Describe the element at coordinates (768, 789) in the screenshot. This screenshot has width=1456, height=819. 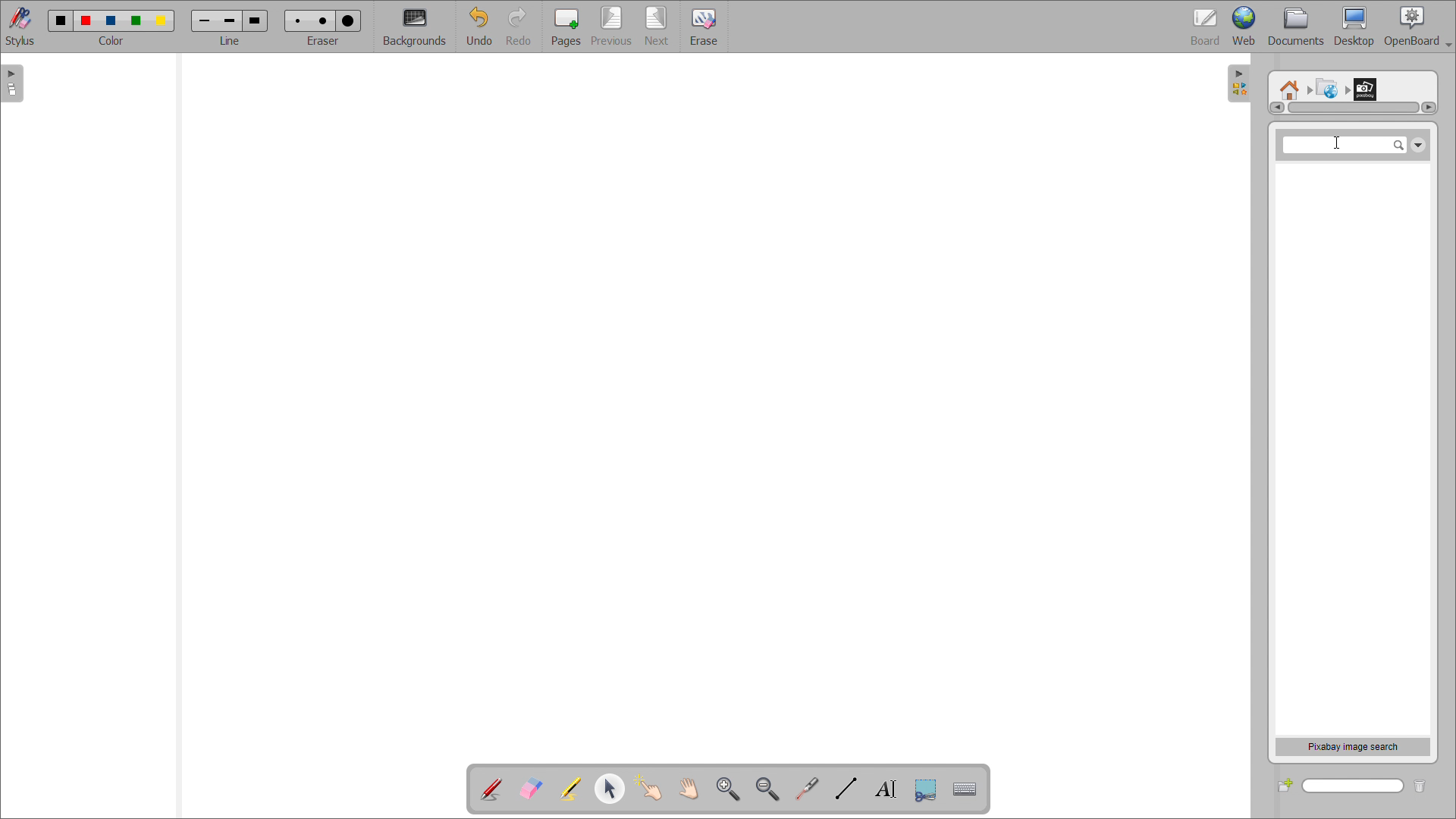
I see `zoom out` at that location.